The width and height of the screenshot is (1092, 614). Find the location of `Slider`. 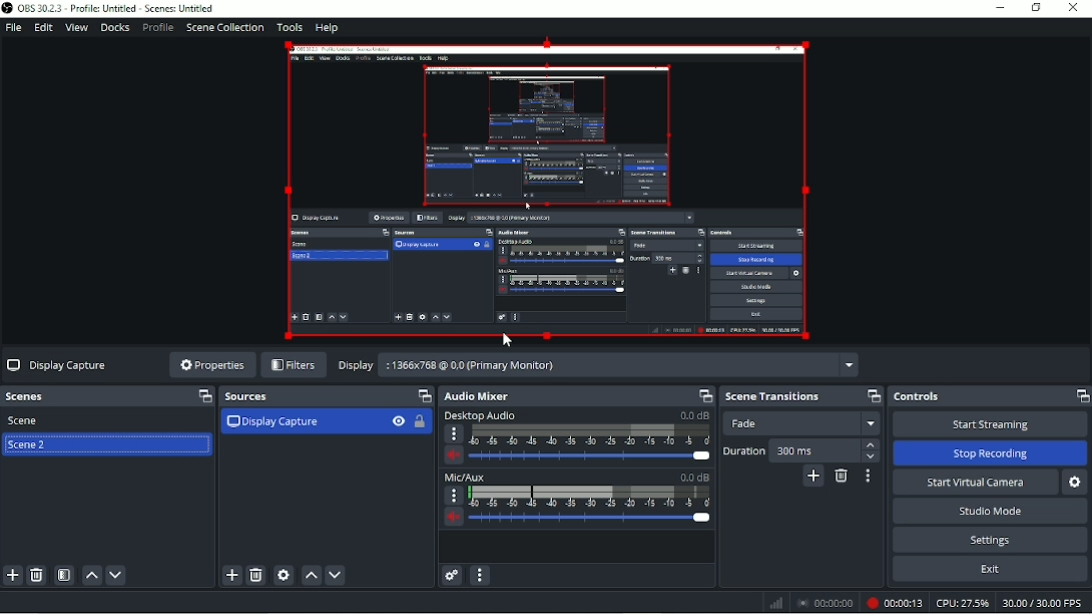

Slider is located at coordinates (593, 520).